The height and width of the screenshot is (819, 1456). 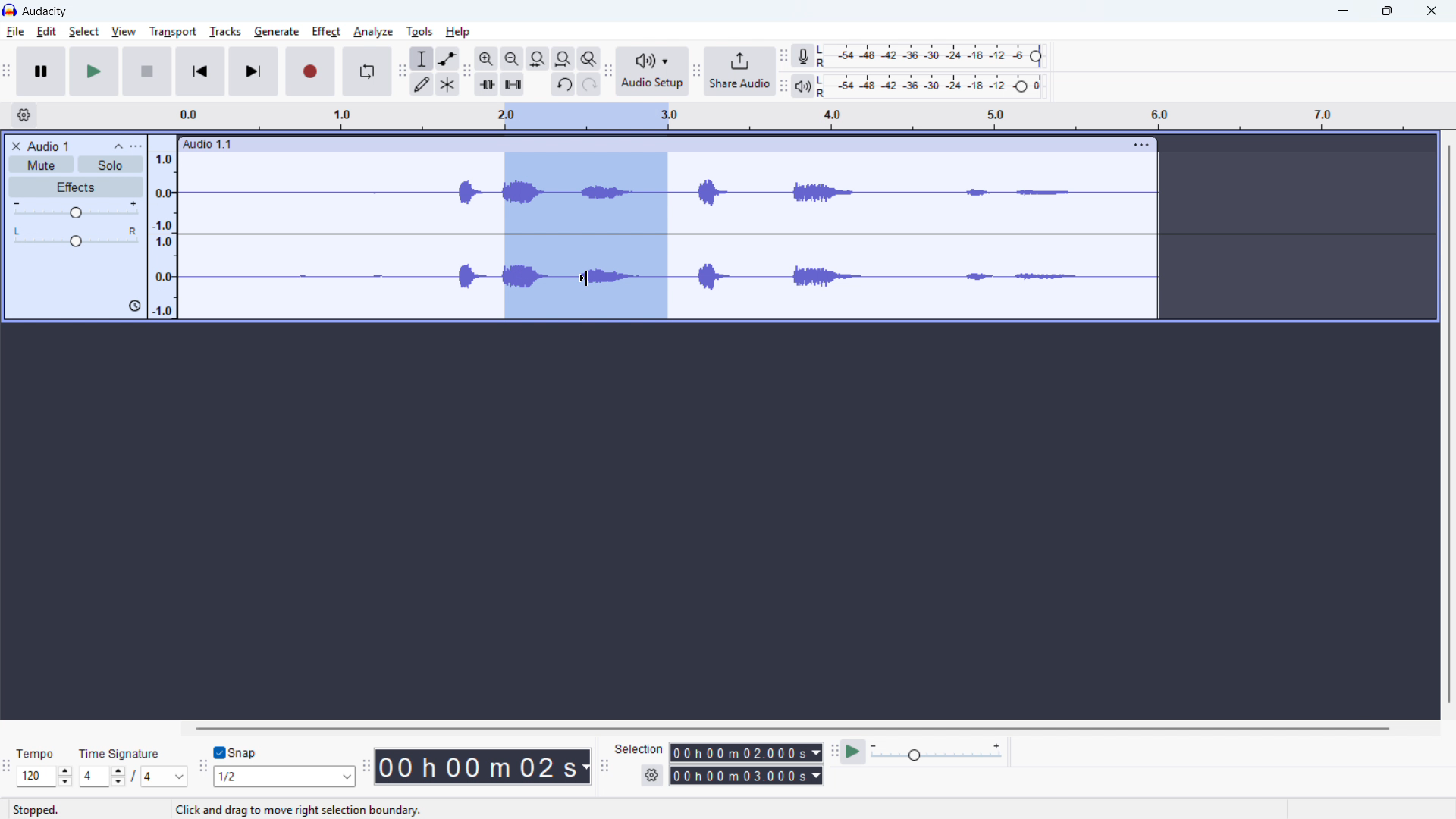 What do you see at coordinates (485, 58) in the screenshot?
I see `ZoZoom in` at bounding box center [485, 58].